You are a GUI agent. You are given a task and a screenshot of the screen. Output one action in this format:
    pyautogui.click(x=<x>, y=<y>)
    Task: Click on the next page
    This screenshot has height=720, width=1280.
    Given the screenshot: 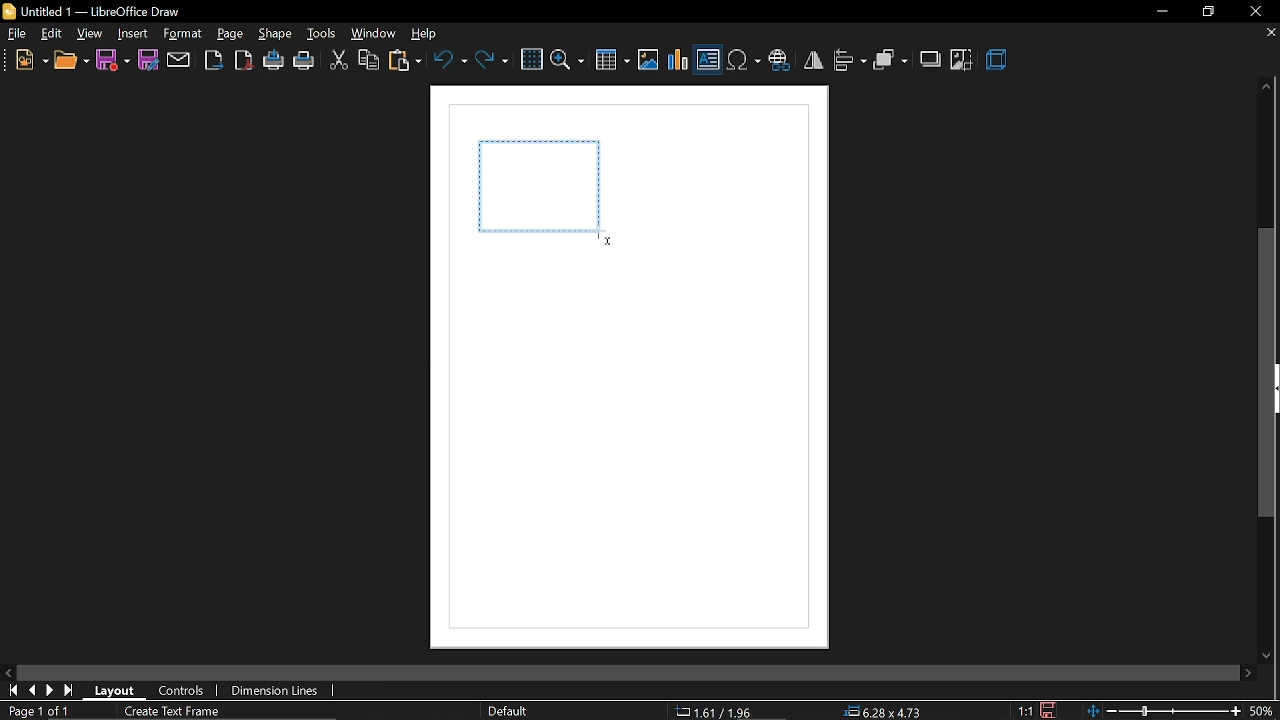 What is the action you would take?
    pyautogui.click(x=71, y=690)
    